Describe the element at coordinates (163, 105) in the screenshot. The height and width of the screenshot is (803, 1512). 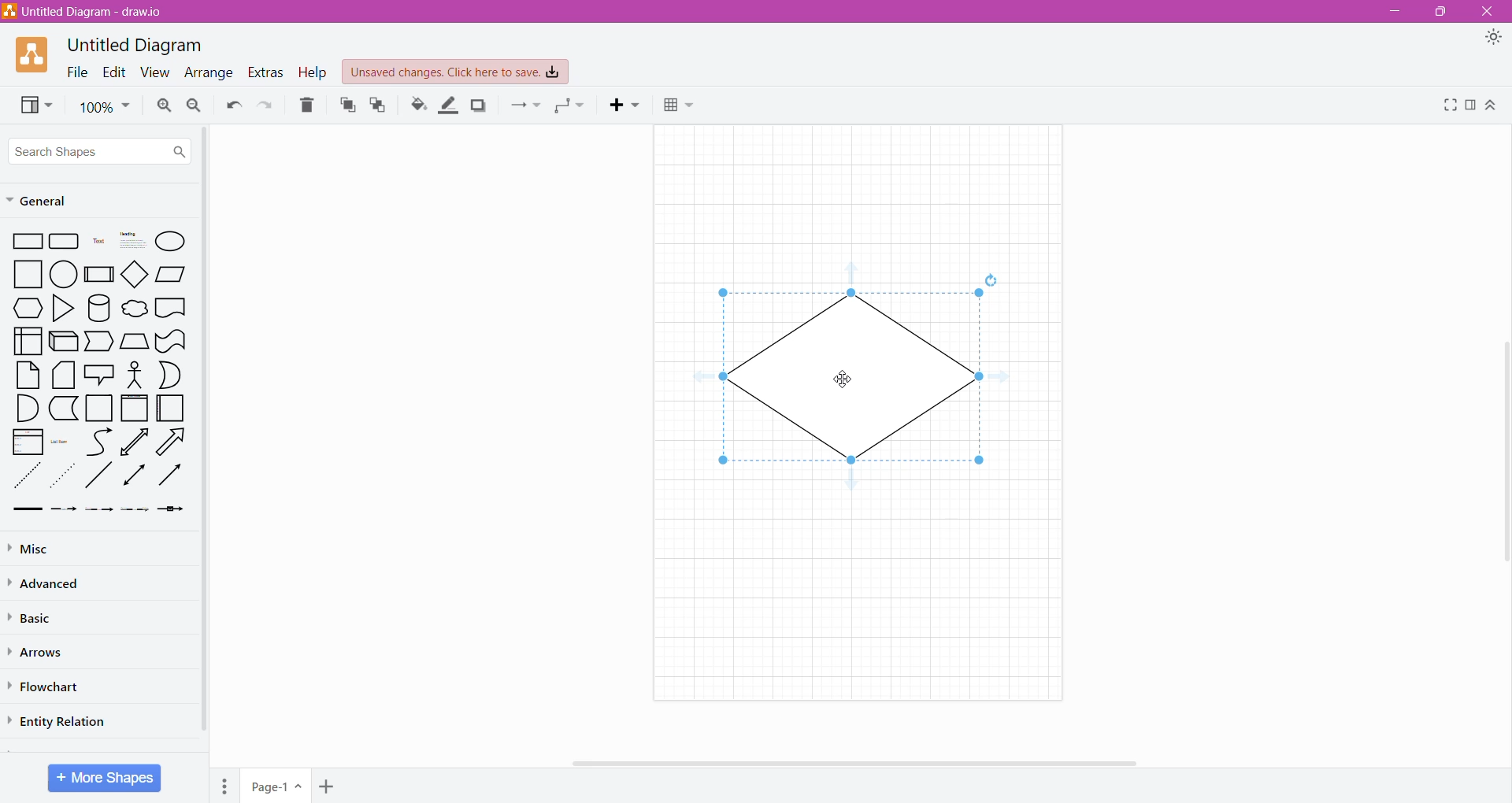
I see `Zoom In` at that location.